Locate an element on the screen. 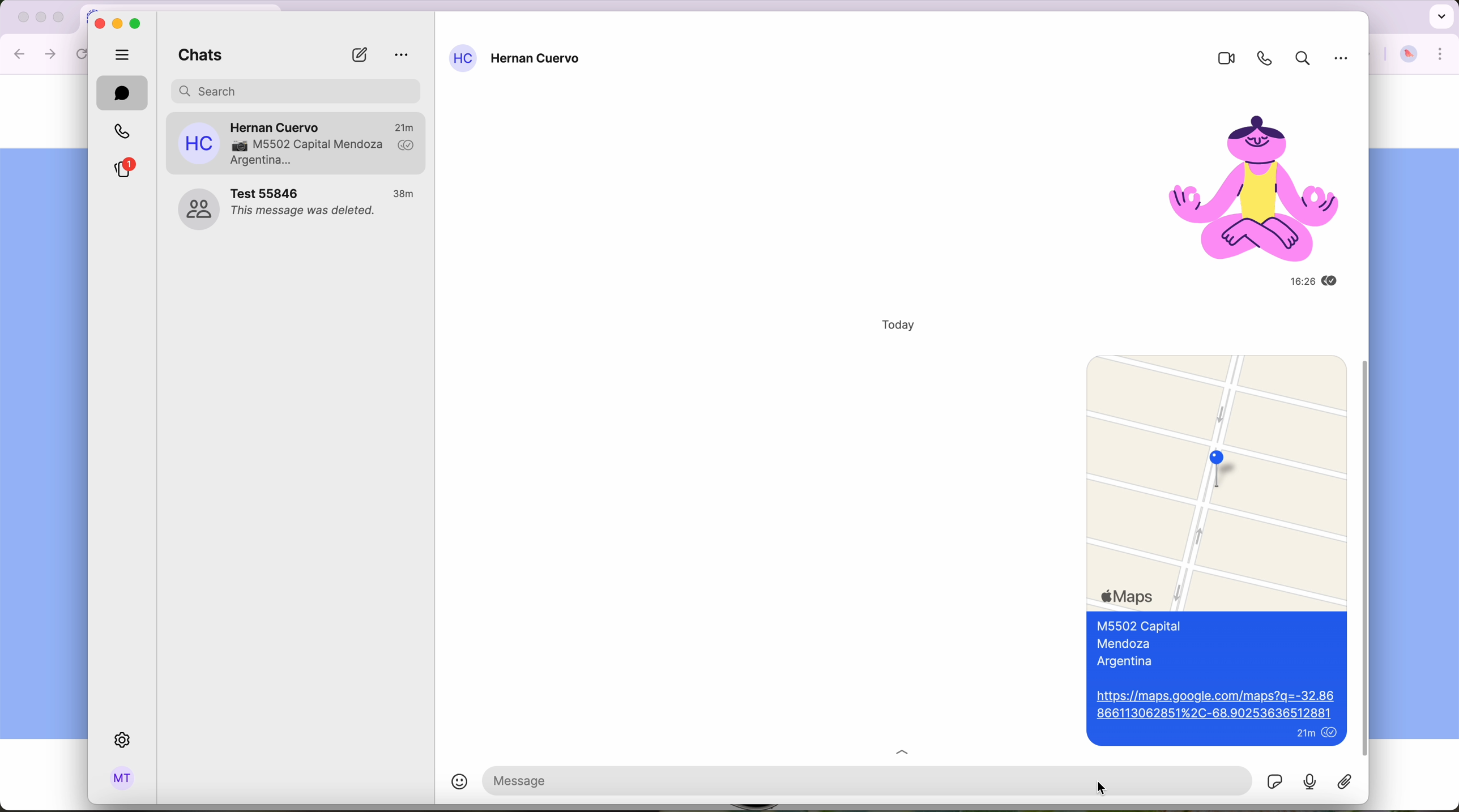 The width and height of the screenshot is (1459, 812). profile is located at coordinates (123, 780).